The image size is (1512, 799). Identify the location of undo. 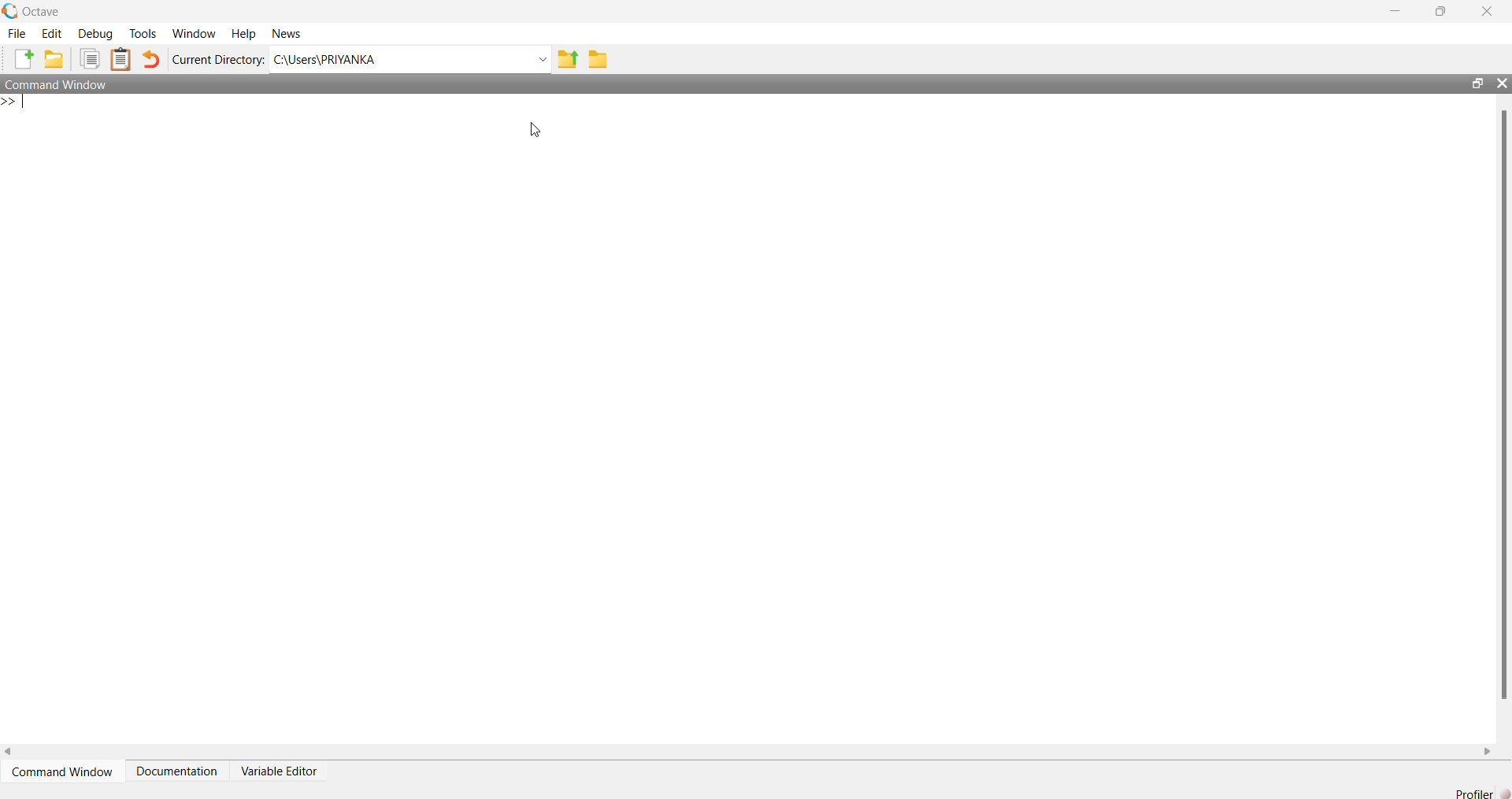
(150, 61).